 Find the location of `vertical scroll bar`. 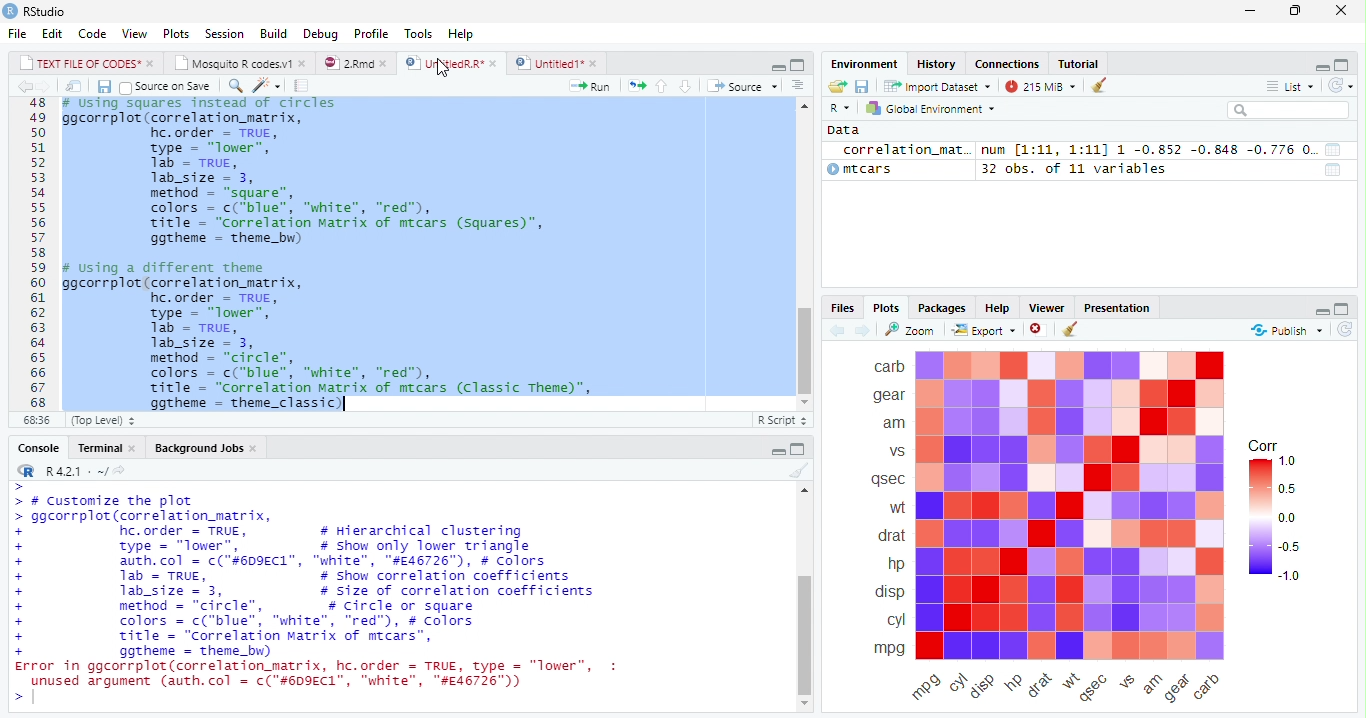

vertical scroll bar is located at coordinates (806, 598).